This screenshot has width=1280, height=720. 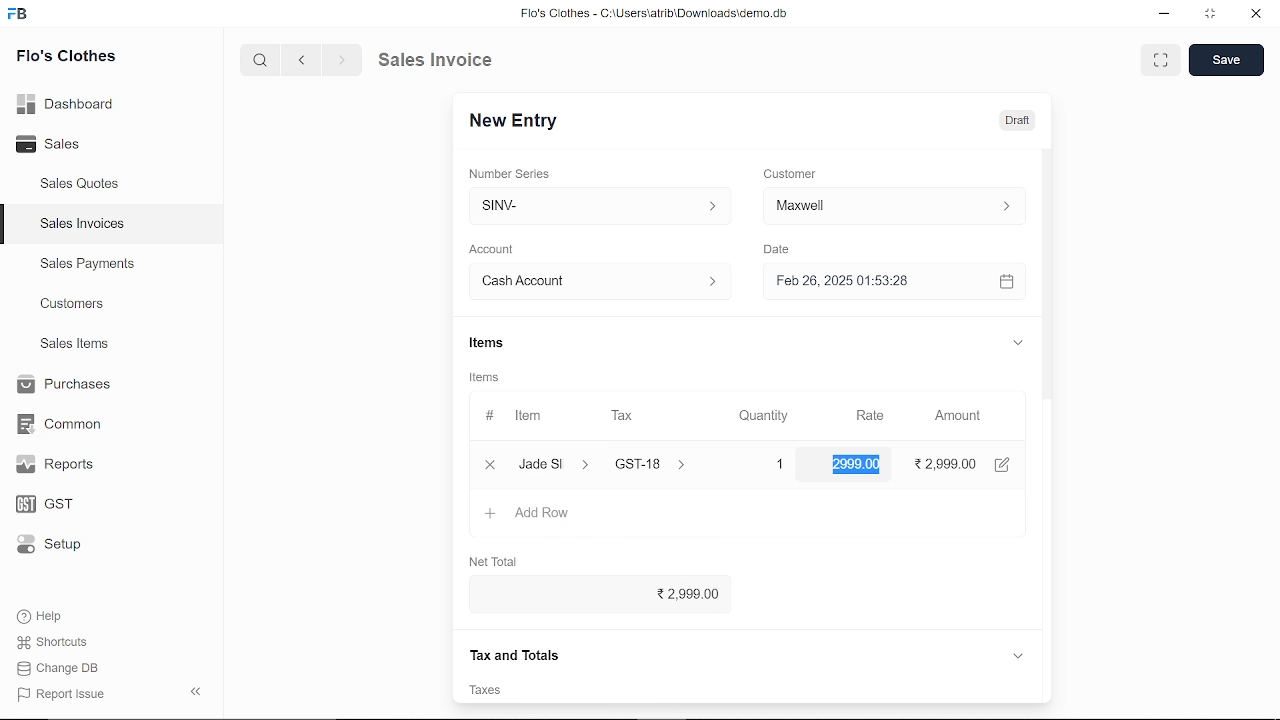 What do you see at coordinates (63, 464) in the screenshot?
I see `Reports.` at bounding box center [63, 464].